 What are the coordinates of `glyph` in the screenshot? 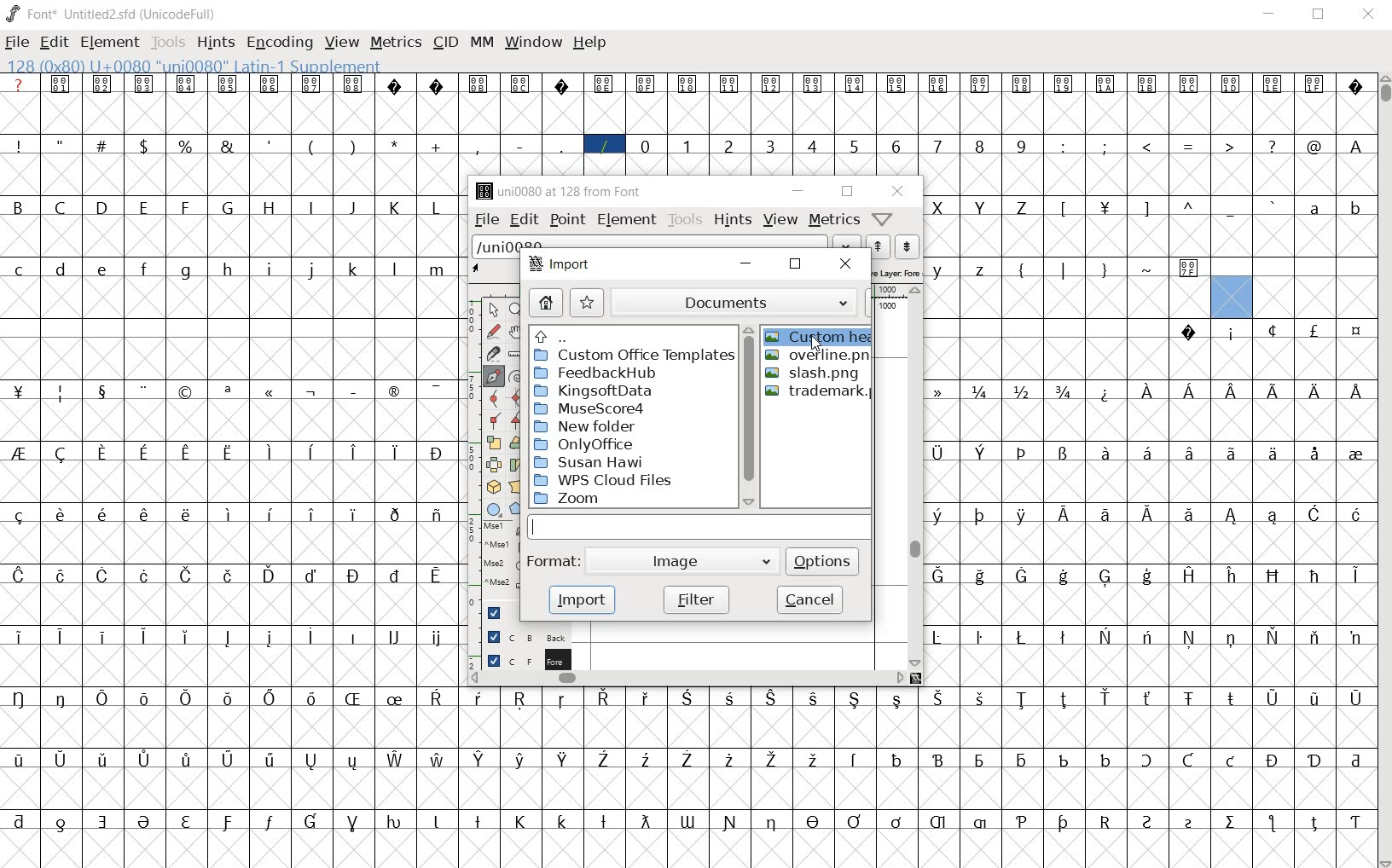 It's located at (772, 824).